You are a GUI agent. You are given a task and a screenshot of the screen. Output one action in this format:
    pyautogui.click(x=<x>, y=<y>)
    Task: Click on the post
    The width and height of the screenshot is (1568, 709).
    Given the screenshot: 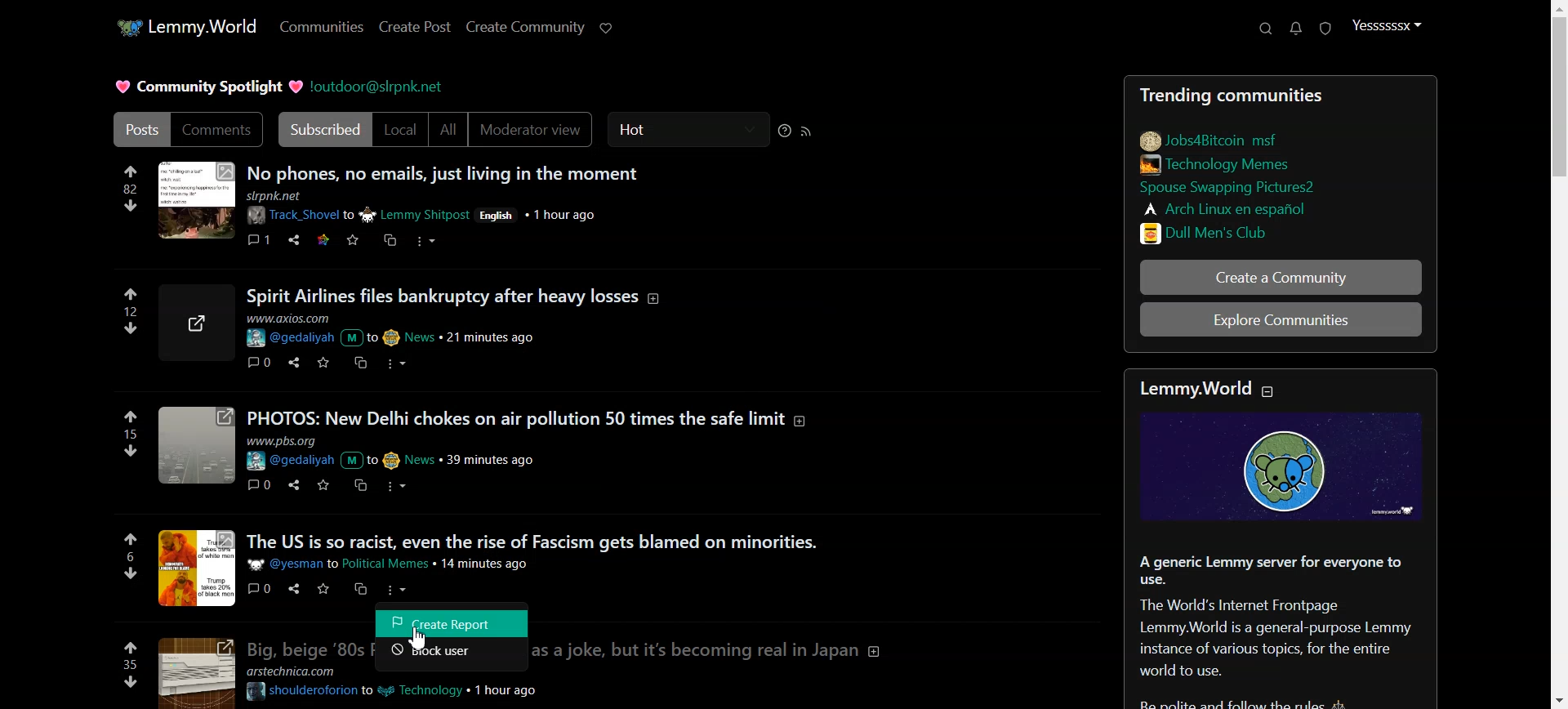 What is the action you would take?
    pyautogui.click(x=302, y=648)
    